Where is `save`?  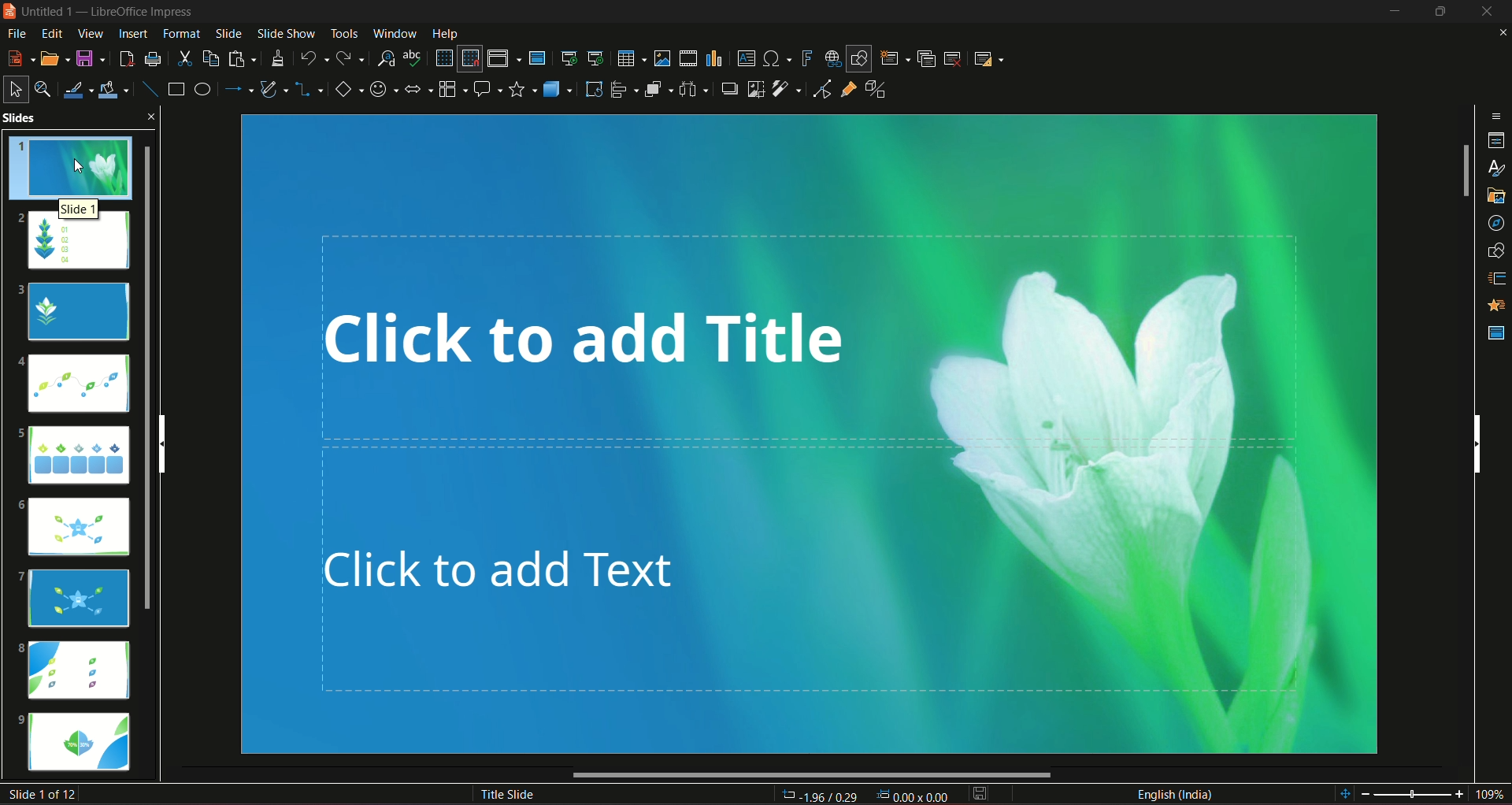 save is located at coordinates (980, 793).